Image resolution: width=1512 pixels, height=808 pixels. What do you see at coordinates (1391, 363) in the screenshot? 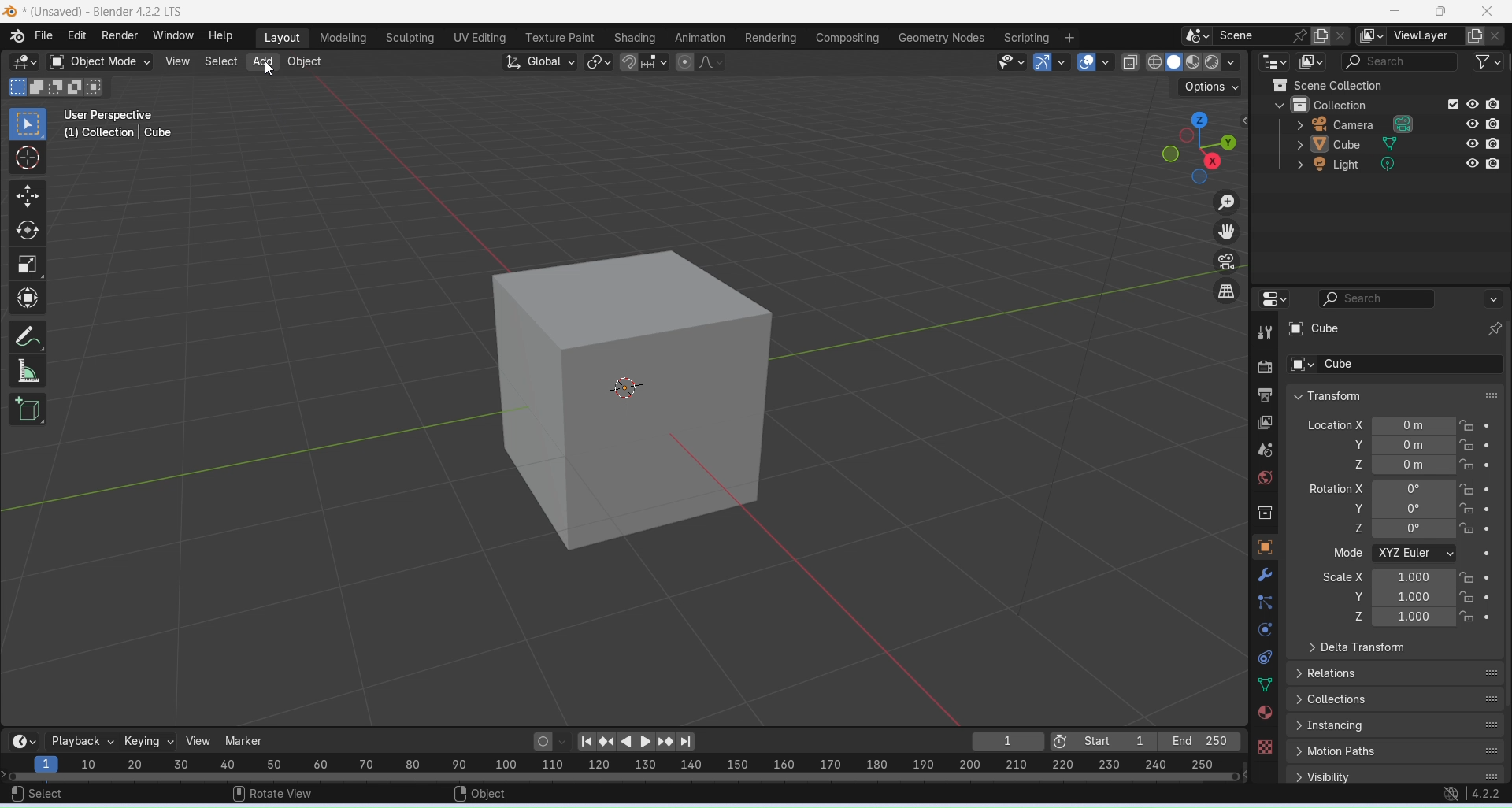
I see `Cube sub layer` at bounding box center [1391, 363].